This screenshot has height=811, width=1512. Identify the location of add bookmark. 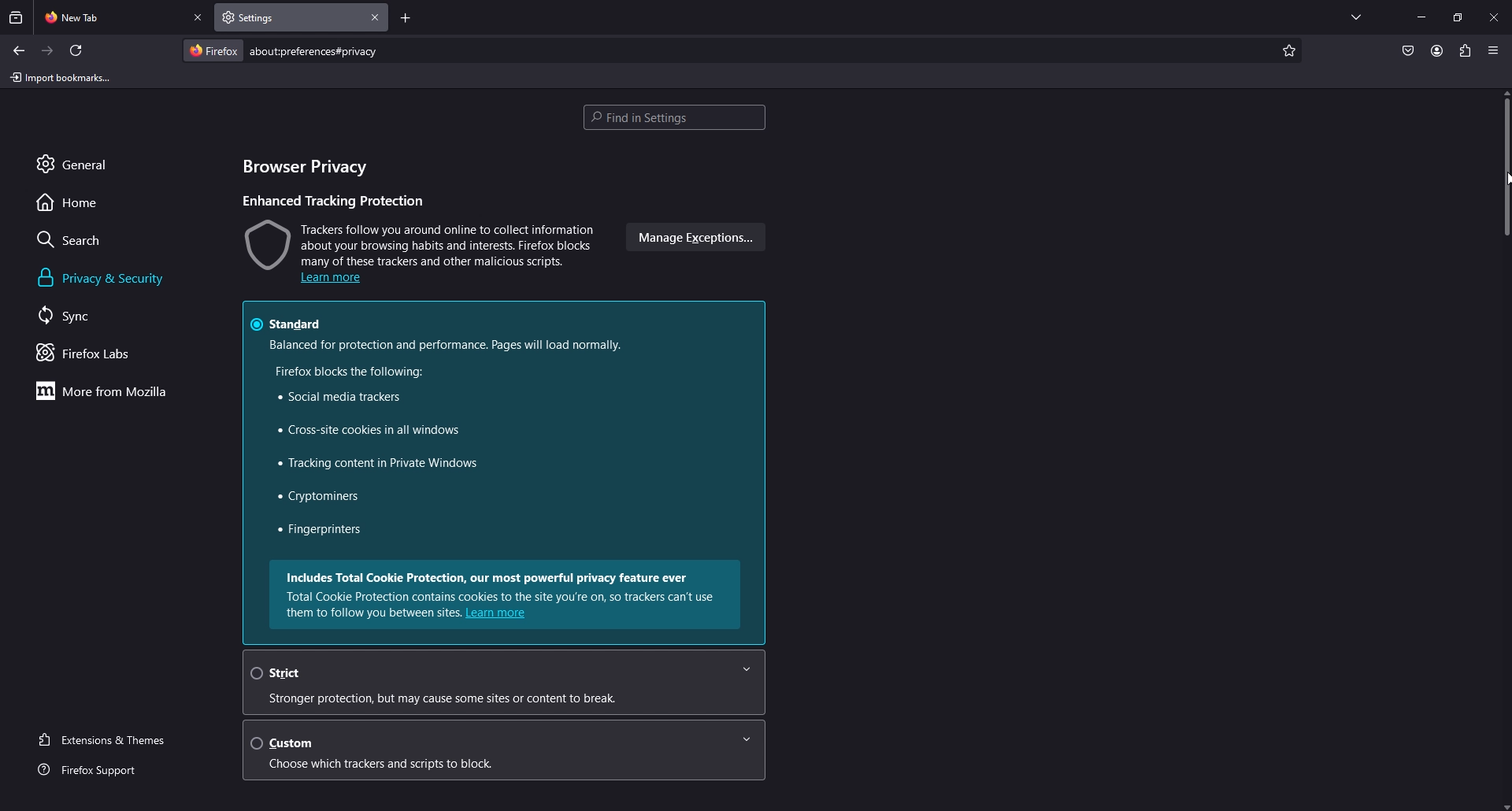
(1287, 51).